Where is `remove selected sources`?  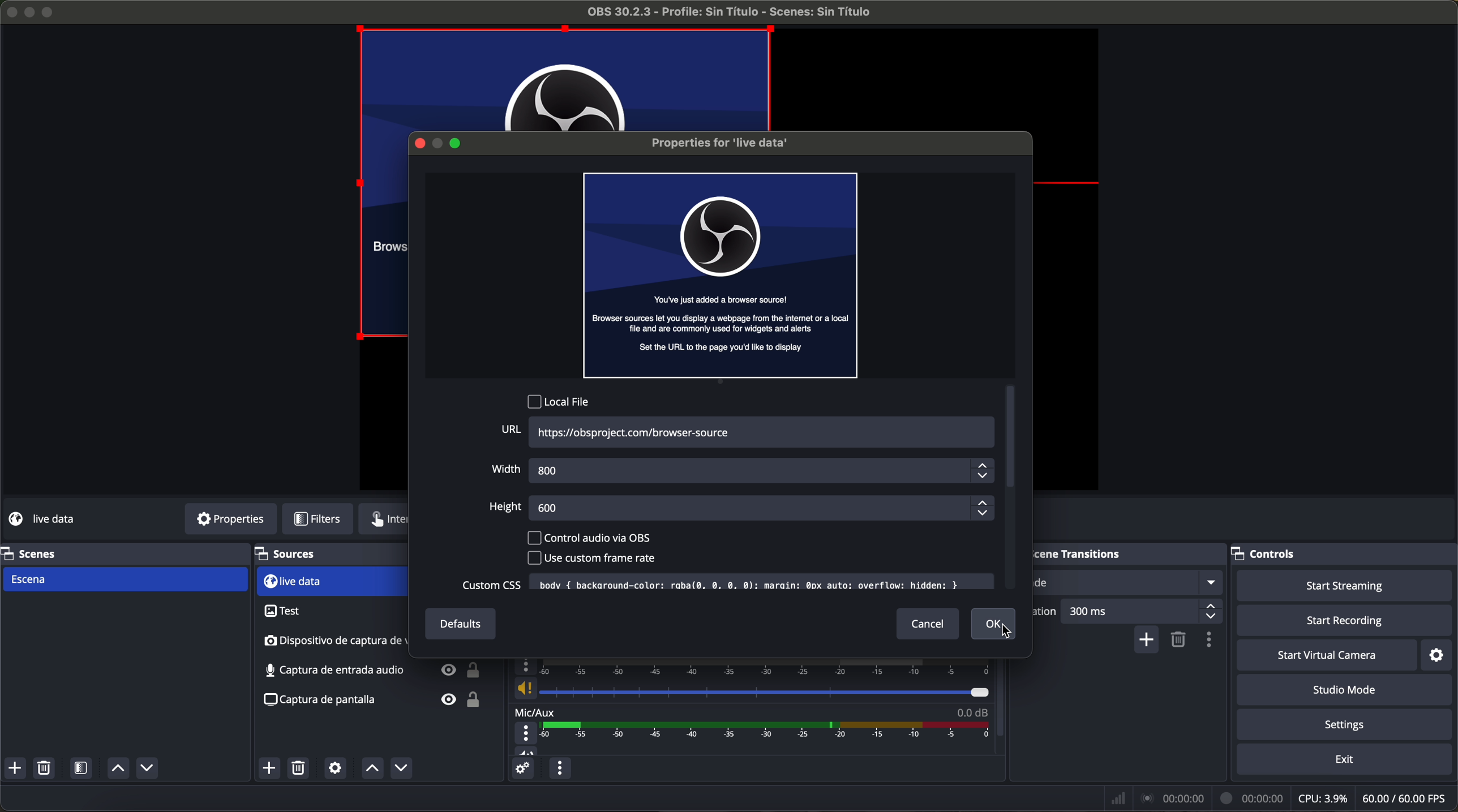
remove selected sources is located at coordinates (301, 769).